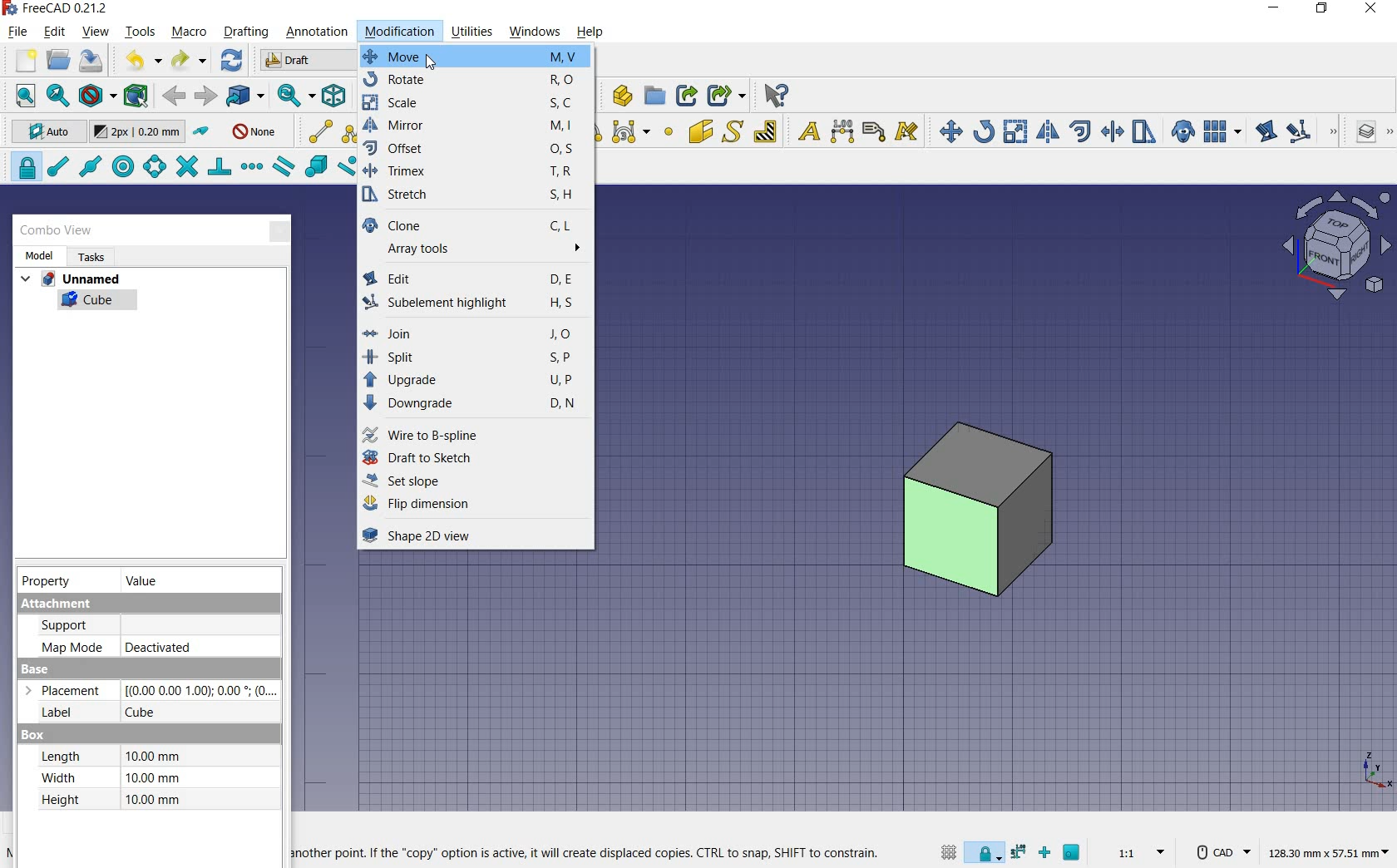 This screenshot has height=868, width=1397. What do you see at coordinates (110, 778) in the screenshot?
I see `Width: 10.00 mm` at bounding box center [110, 778].